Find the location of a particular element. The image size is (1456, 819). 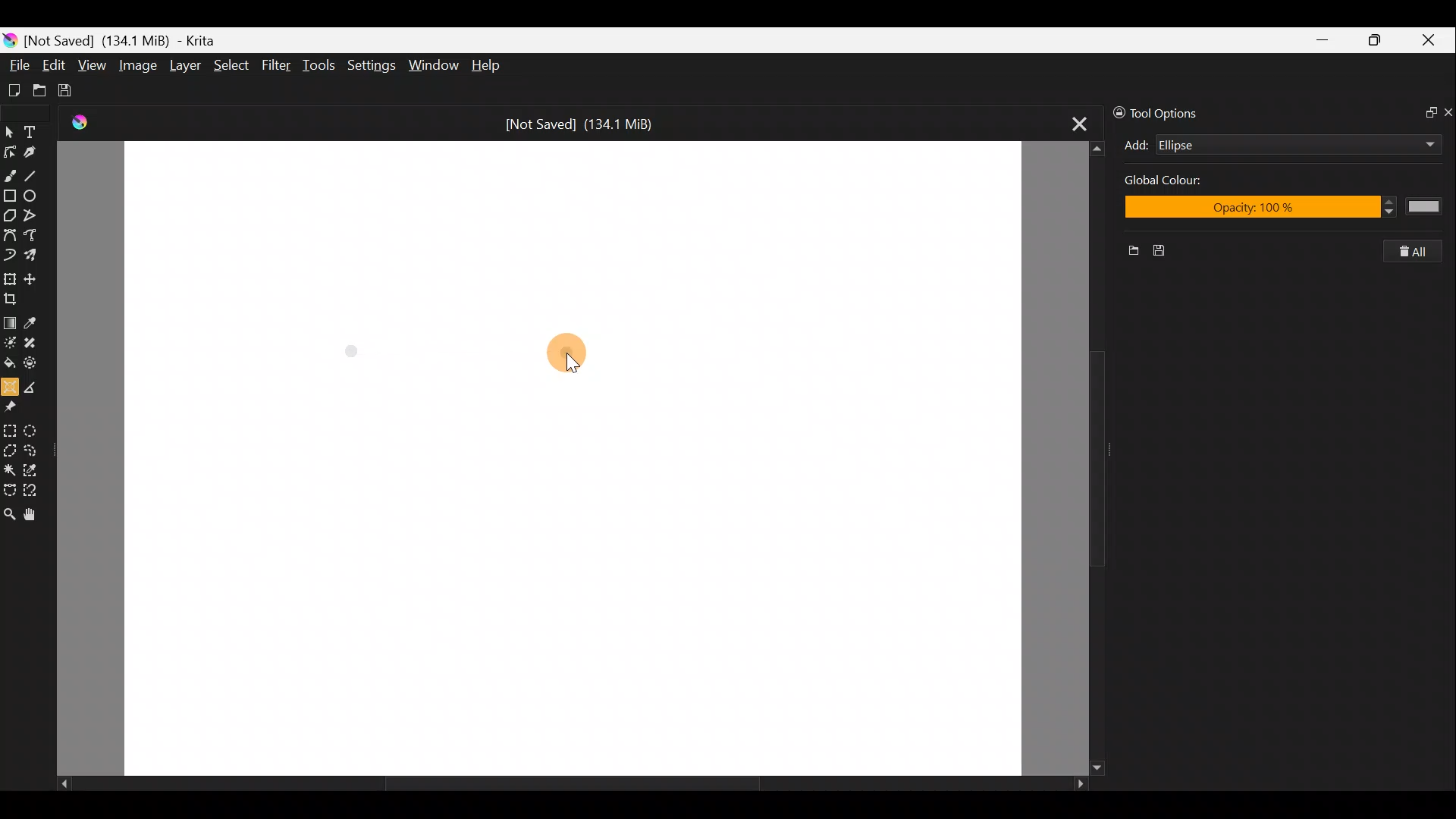

Colorize mask tool is located at coordinates (10, 343).